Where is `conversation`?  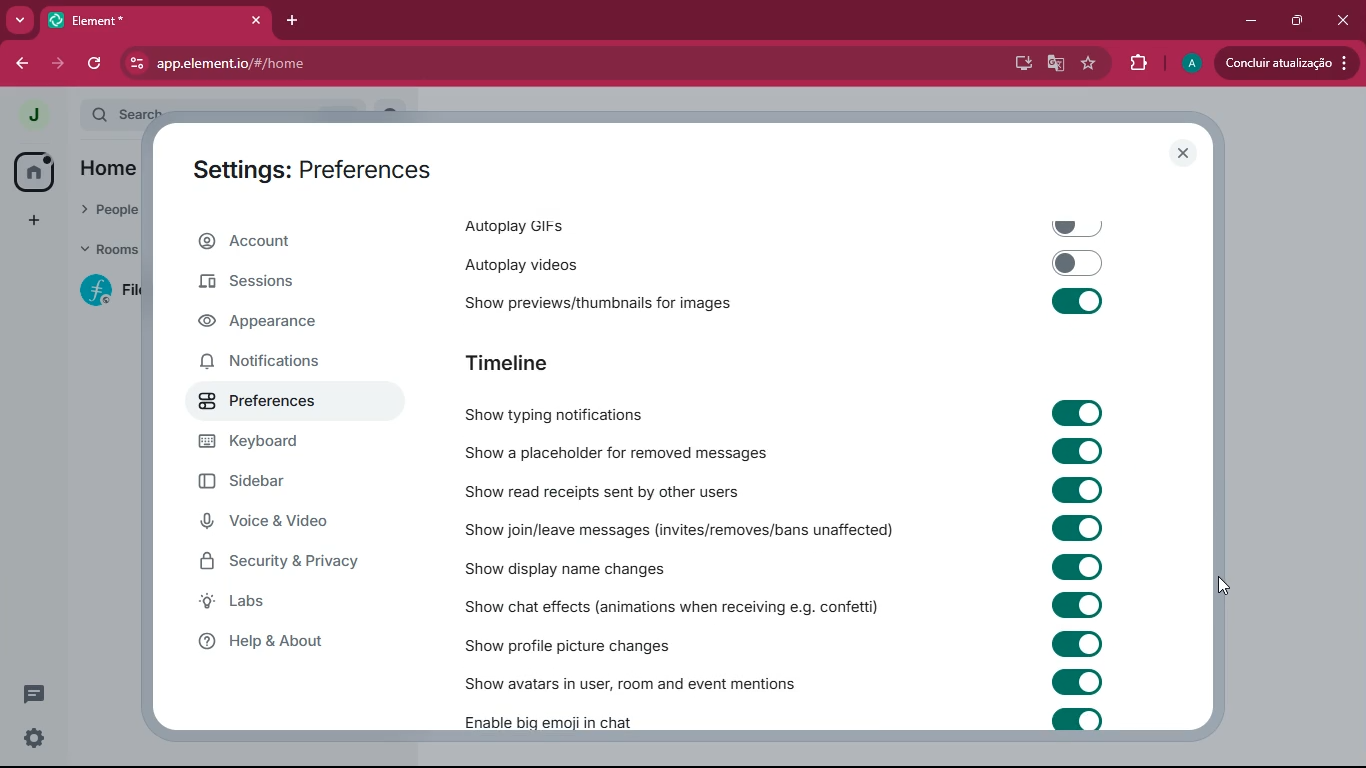 conversation is located at coordinates (33, 697).